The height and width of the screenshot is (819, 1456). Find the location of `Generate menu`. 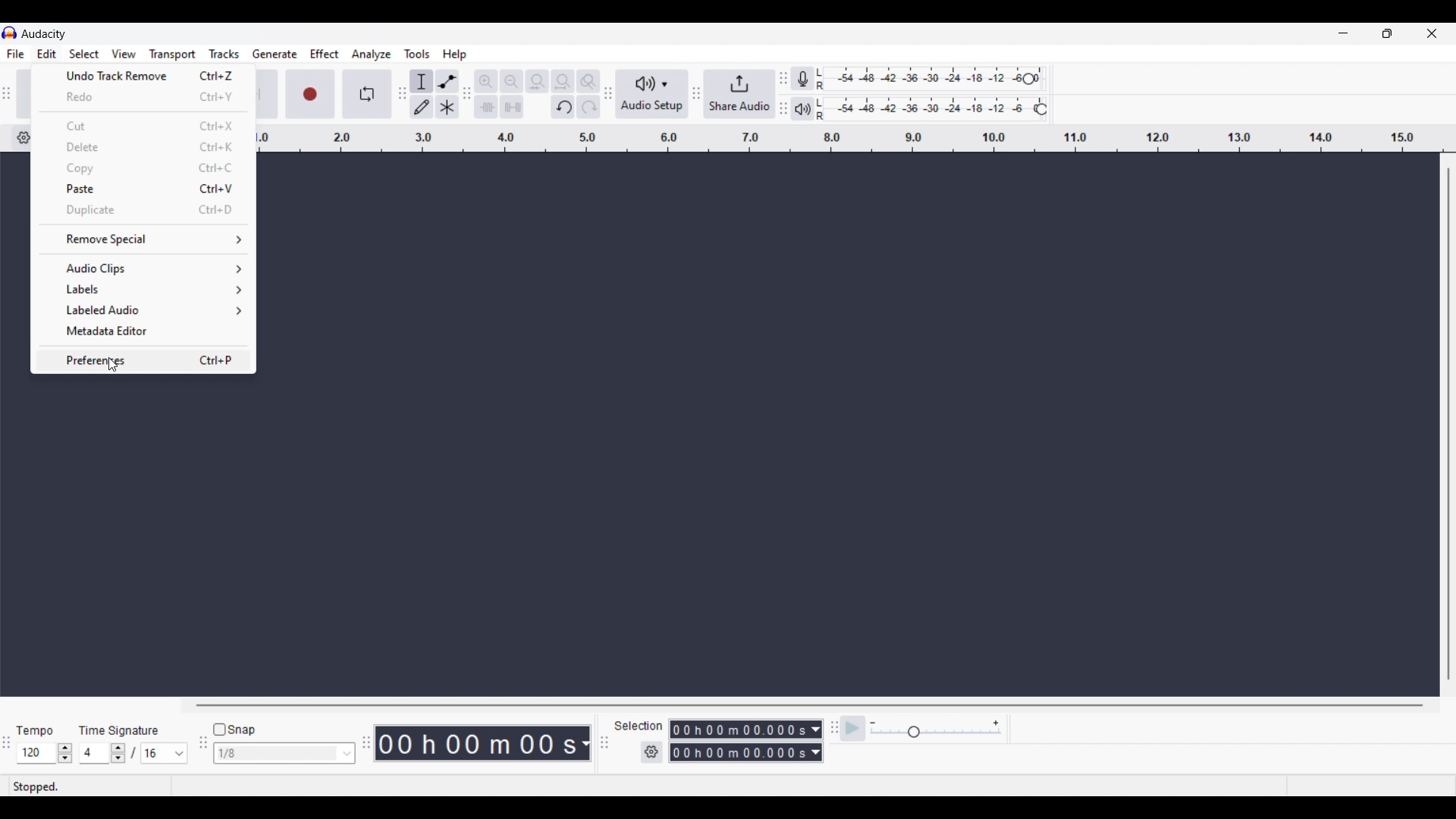

Generate menu is located at coordinates (275, 54).